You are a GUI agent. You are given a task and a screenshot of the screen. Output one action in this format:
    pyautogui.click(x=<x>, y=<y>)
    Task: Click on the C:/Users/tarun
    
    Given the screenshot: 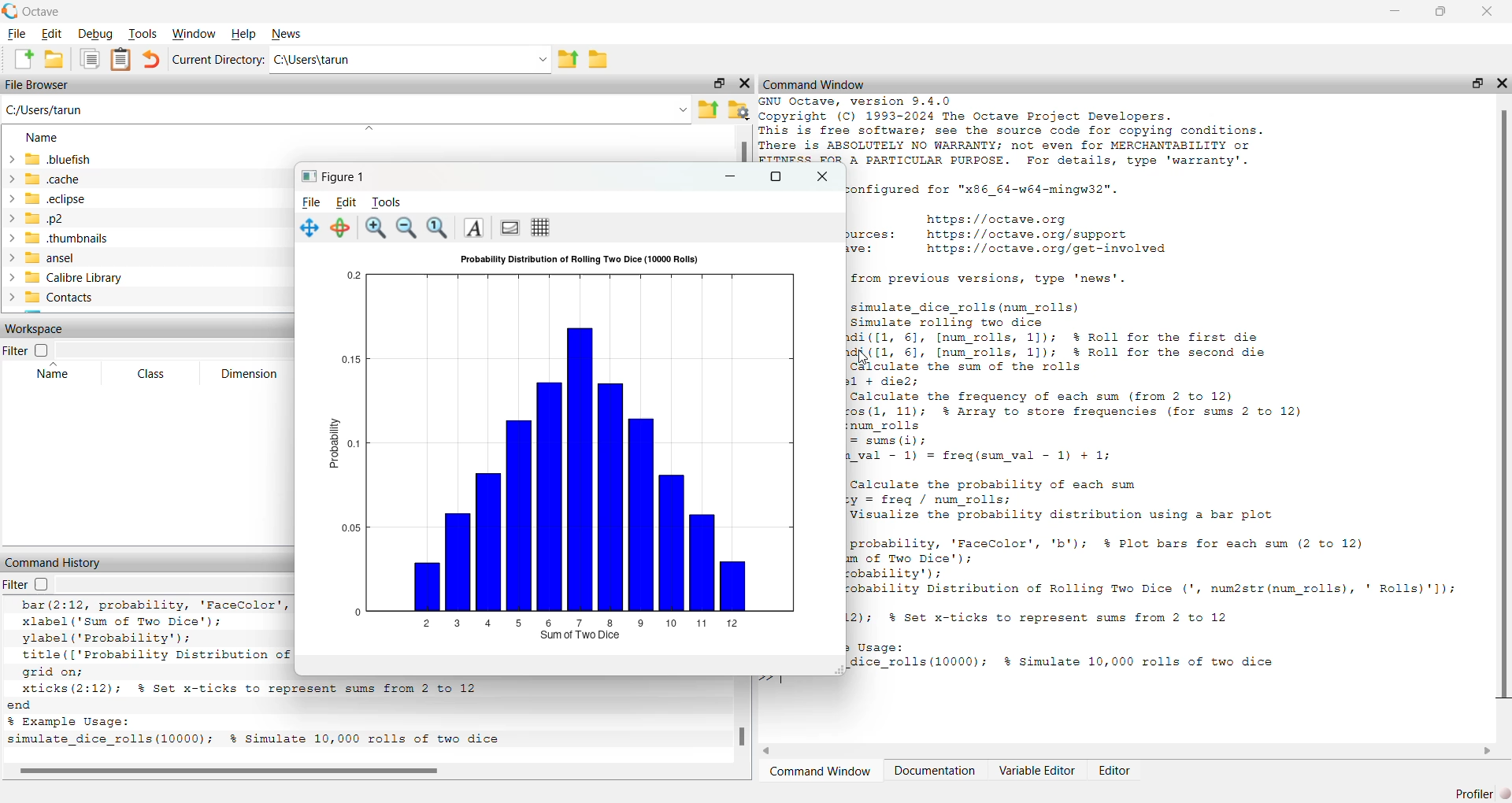 What is the action you would take?
    pyautogui.click(x=64, y=111)
    